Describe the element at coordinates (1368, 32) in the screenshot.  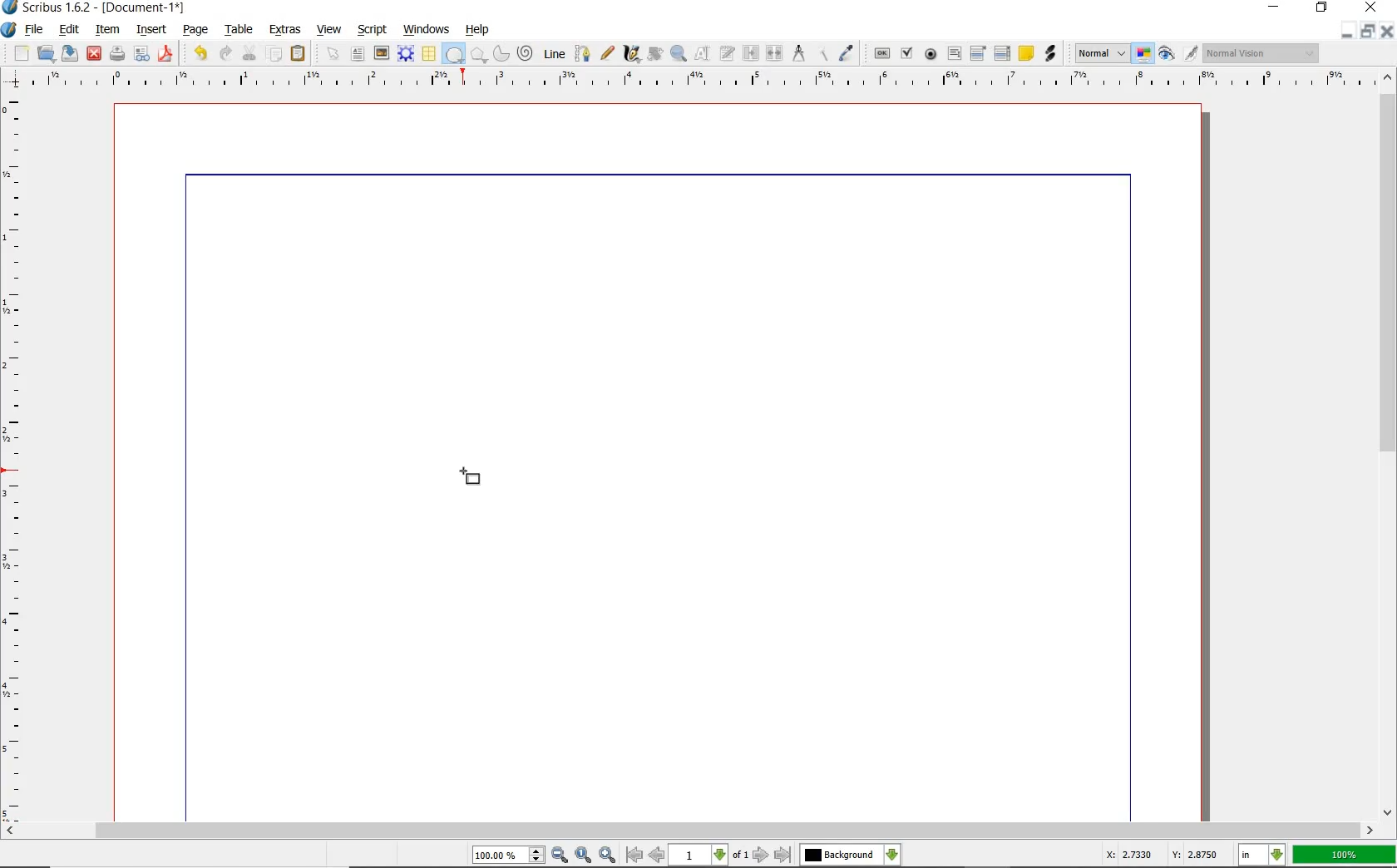
I see `RESTORE` at that location.